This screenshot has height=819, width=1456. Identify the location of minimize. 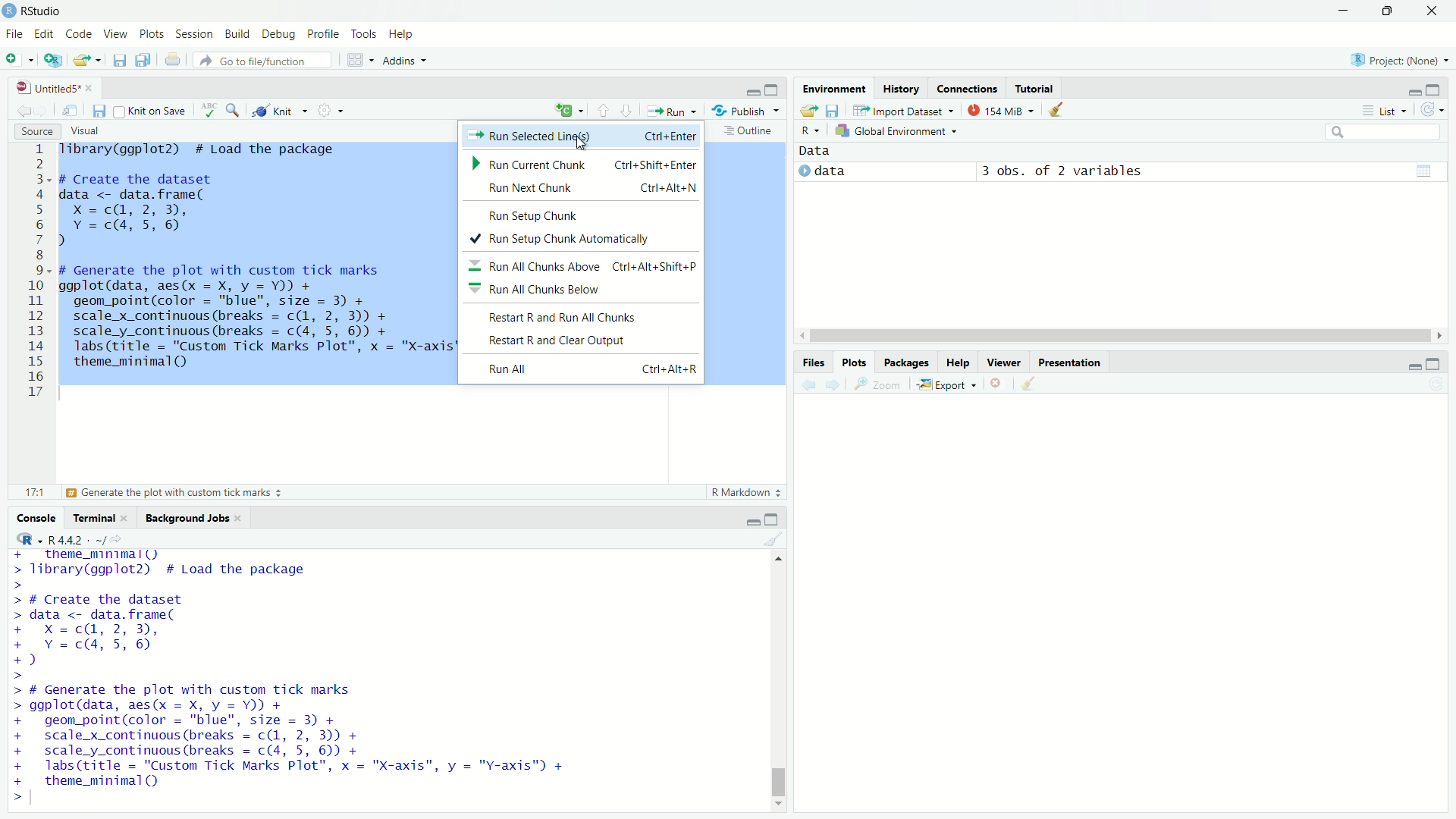
(751, 92).